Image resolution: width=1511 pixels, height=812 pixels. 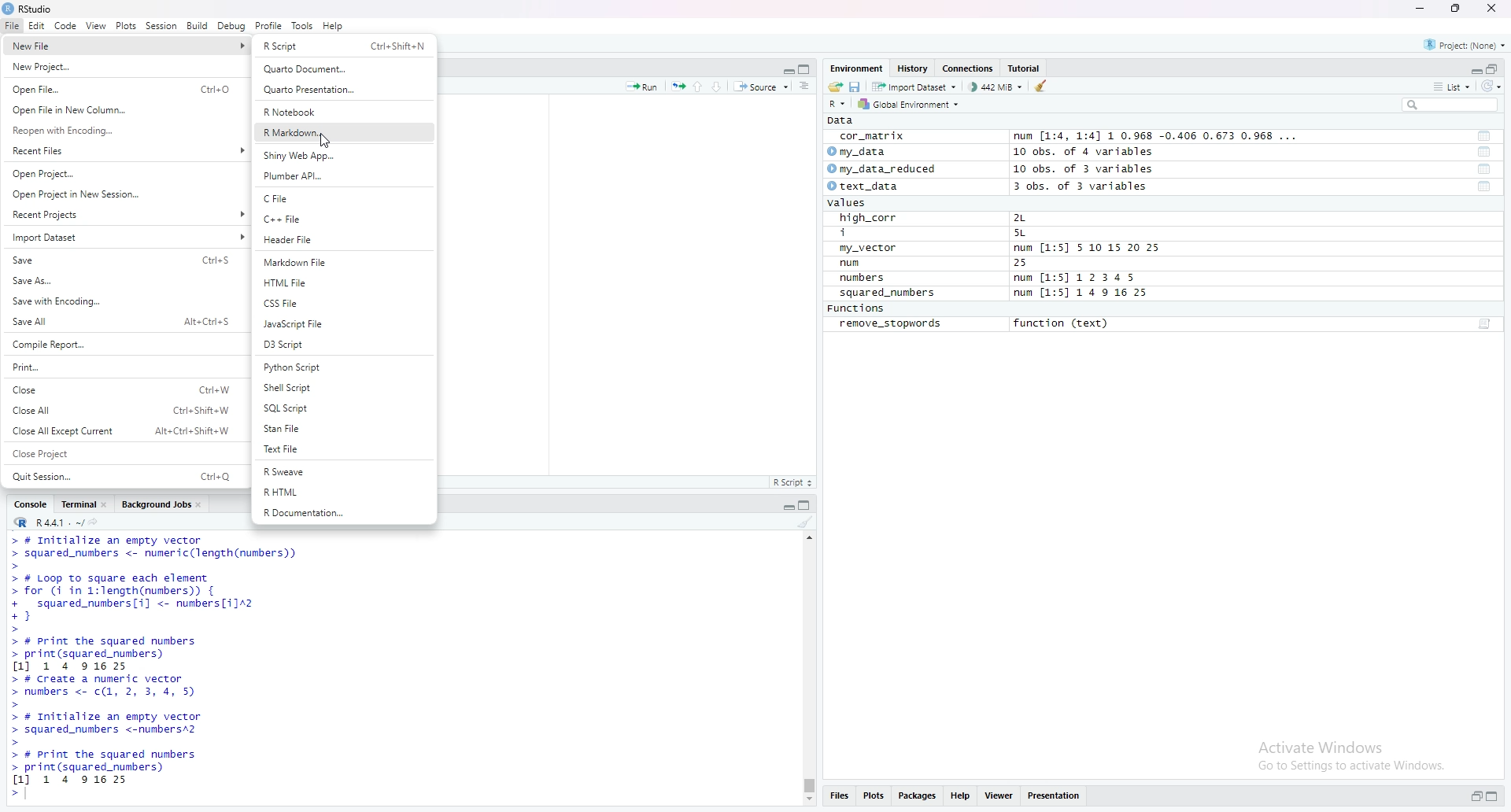 What do you see at coordinates (342, 262) in the screenshot?
I see `Markdown File` at bounding box center [342, 262].